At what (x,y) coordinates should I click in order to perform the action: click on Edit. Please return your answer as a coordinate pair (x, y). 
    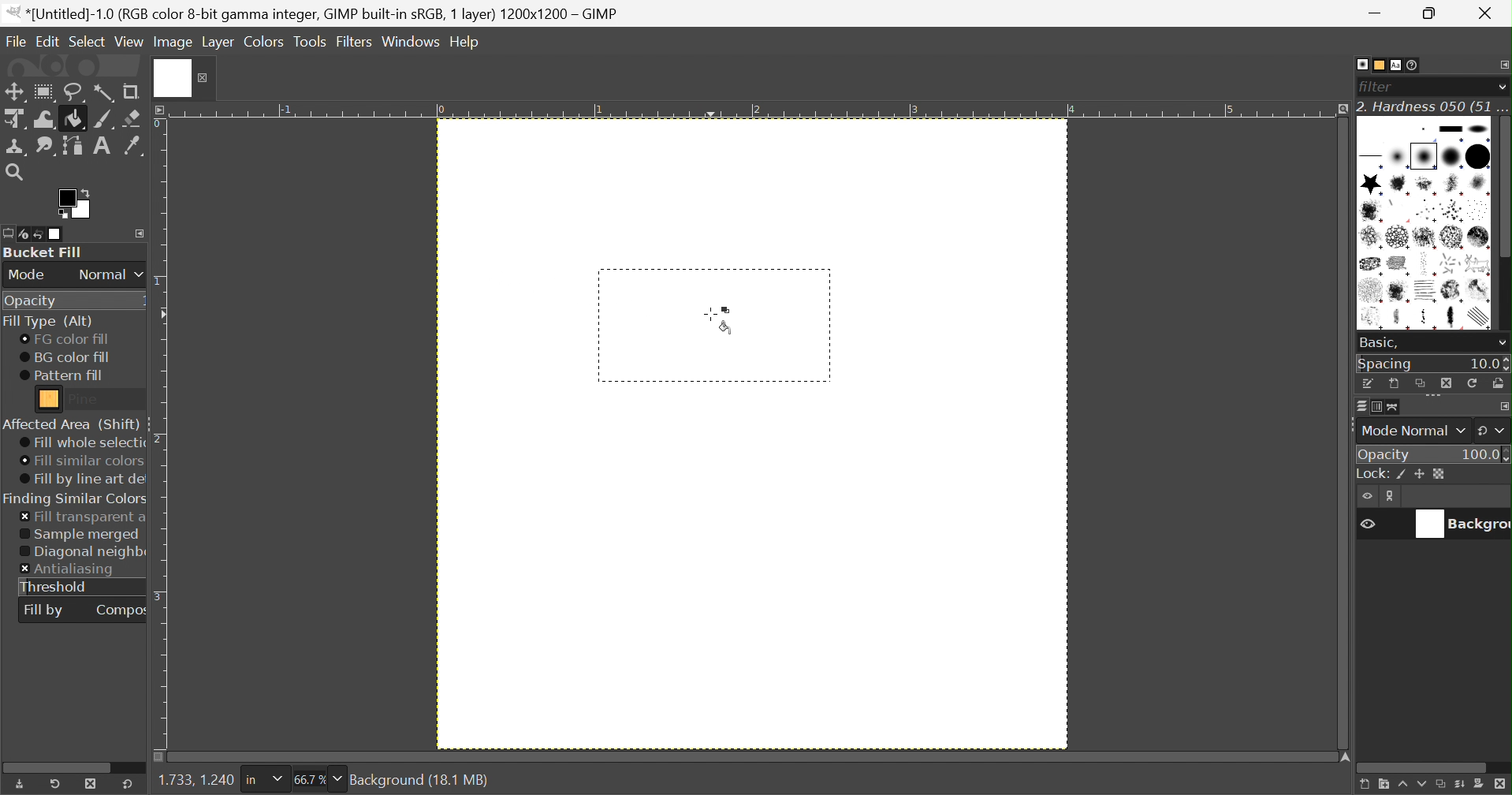
    Looking at the image, I should click on (47, 40).